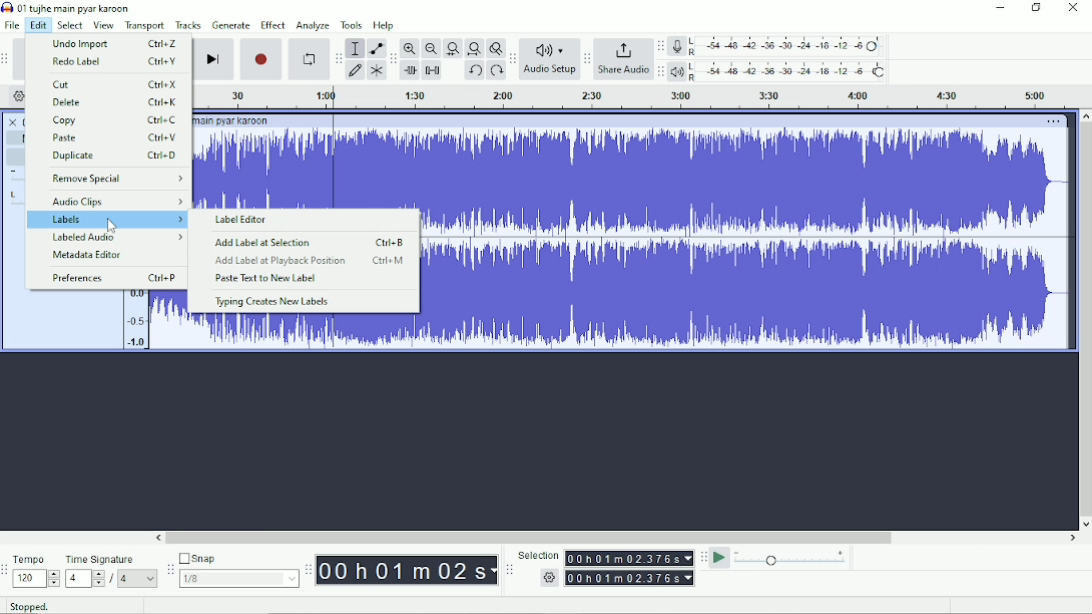 This screenshot has height=614, width=1092. I want to click on Skip to end, so click(213, 59).